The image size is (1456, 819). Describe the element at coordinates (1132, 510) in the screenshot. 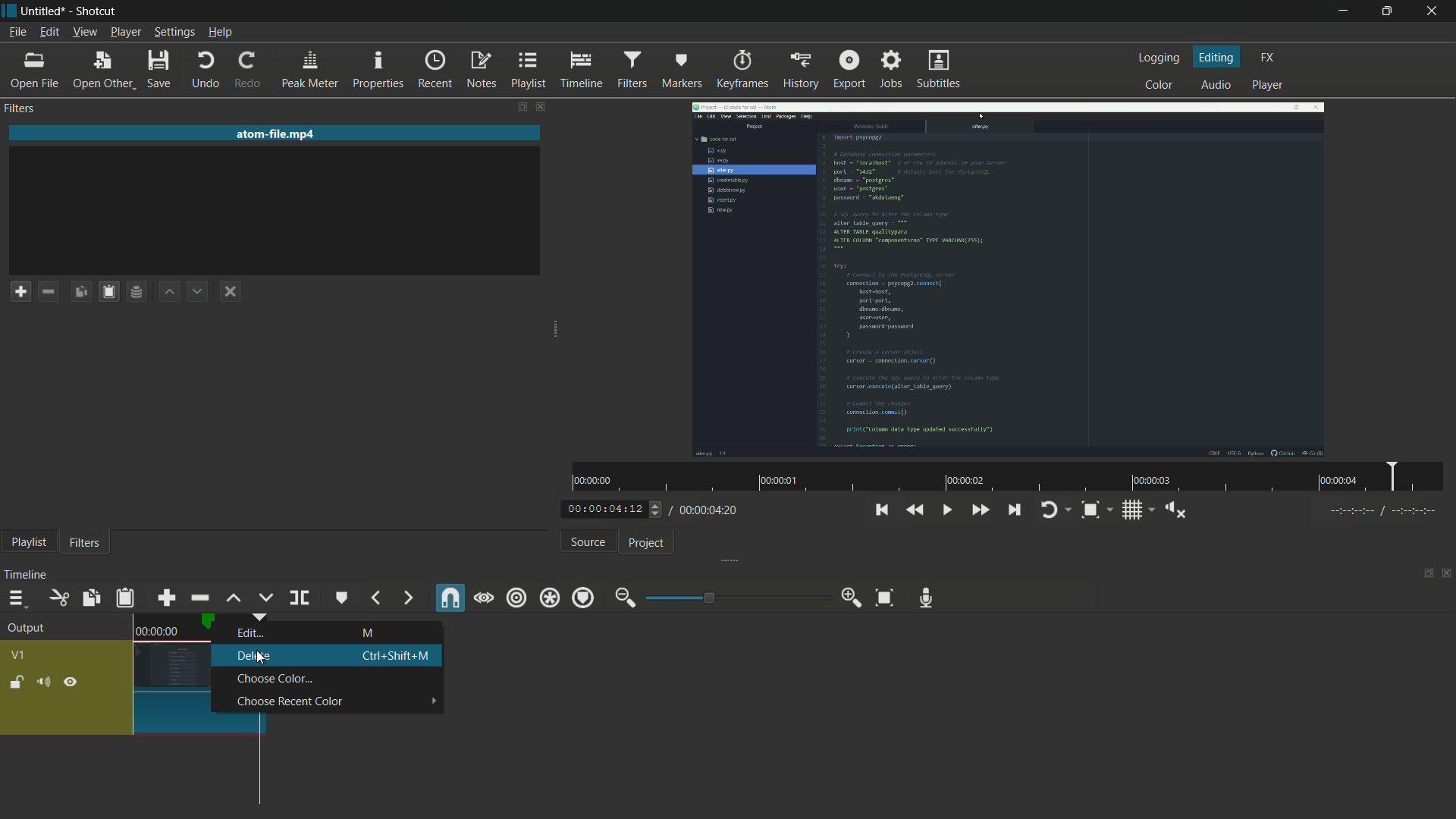

I see `toggle grid` at that location.